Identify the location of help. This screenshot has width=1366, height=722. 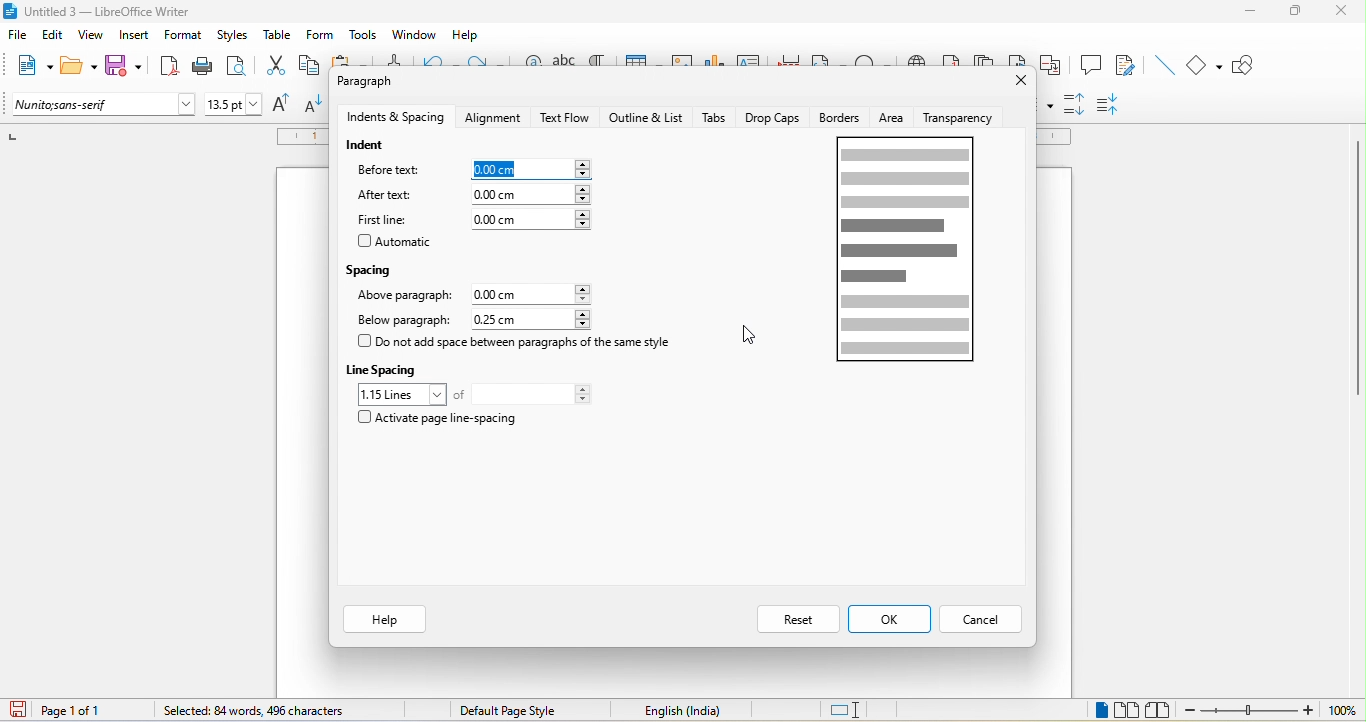
(383, 620).